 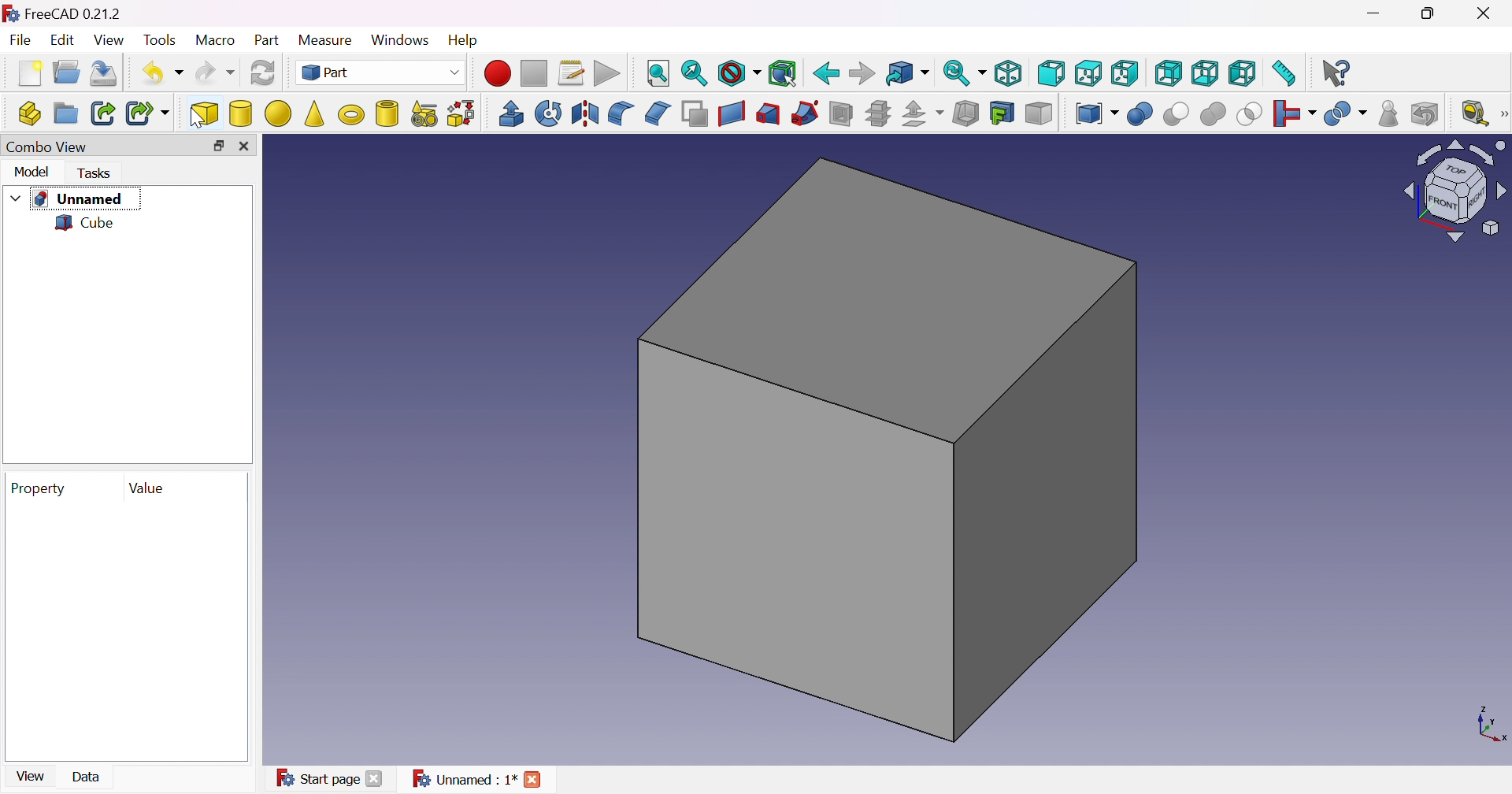 I want to click on Right, so click(x=1125, y=73).